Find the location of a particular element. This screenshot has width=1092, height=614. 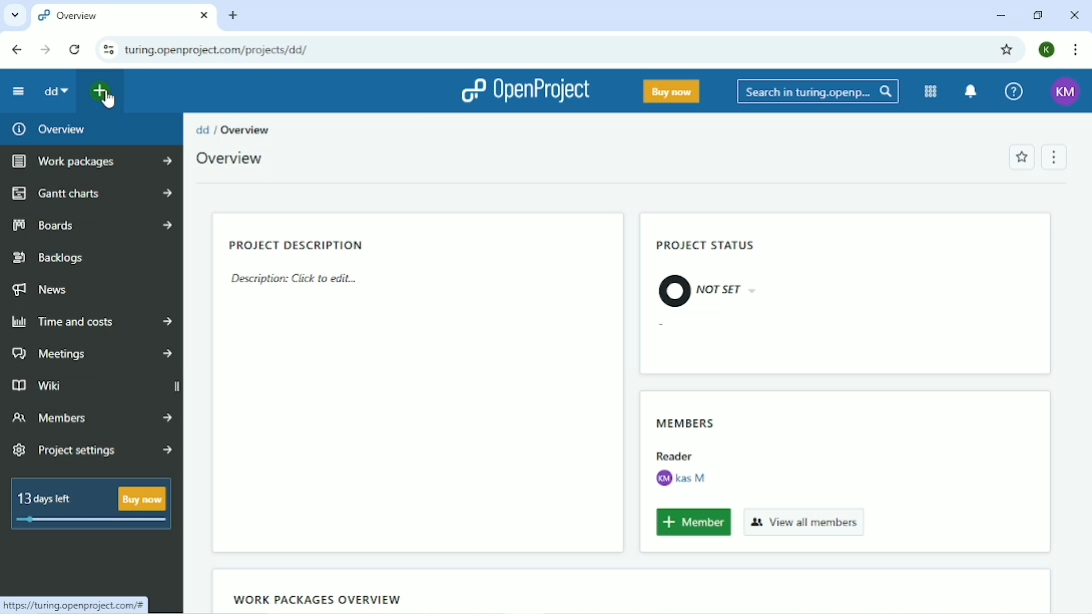

Cursor is located at coordinates (108, 101).